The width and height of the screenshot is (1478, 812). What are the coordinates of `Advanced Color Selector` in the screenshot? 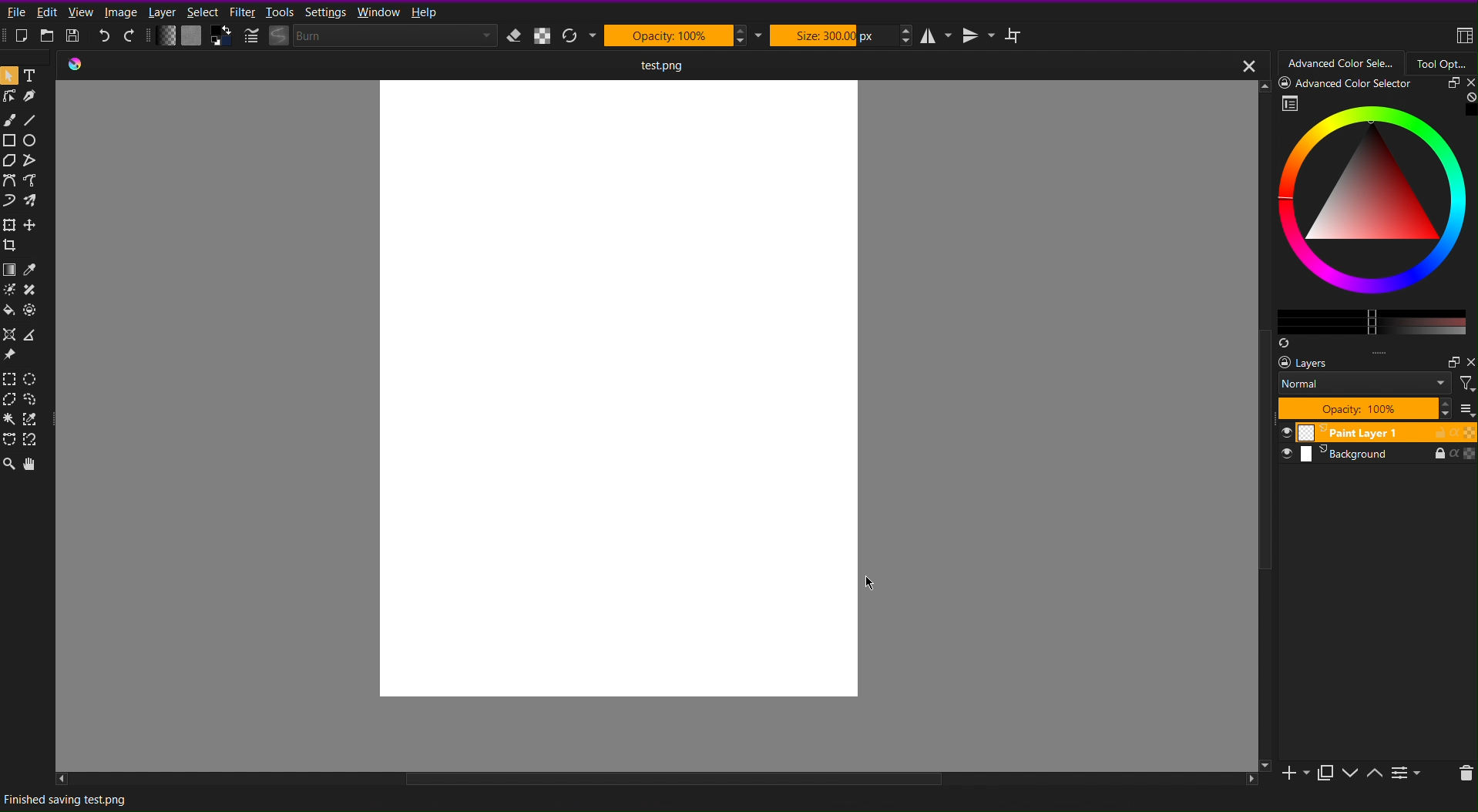 It's located at (1370, 214).